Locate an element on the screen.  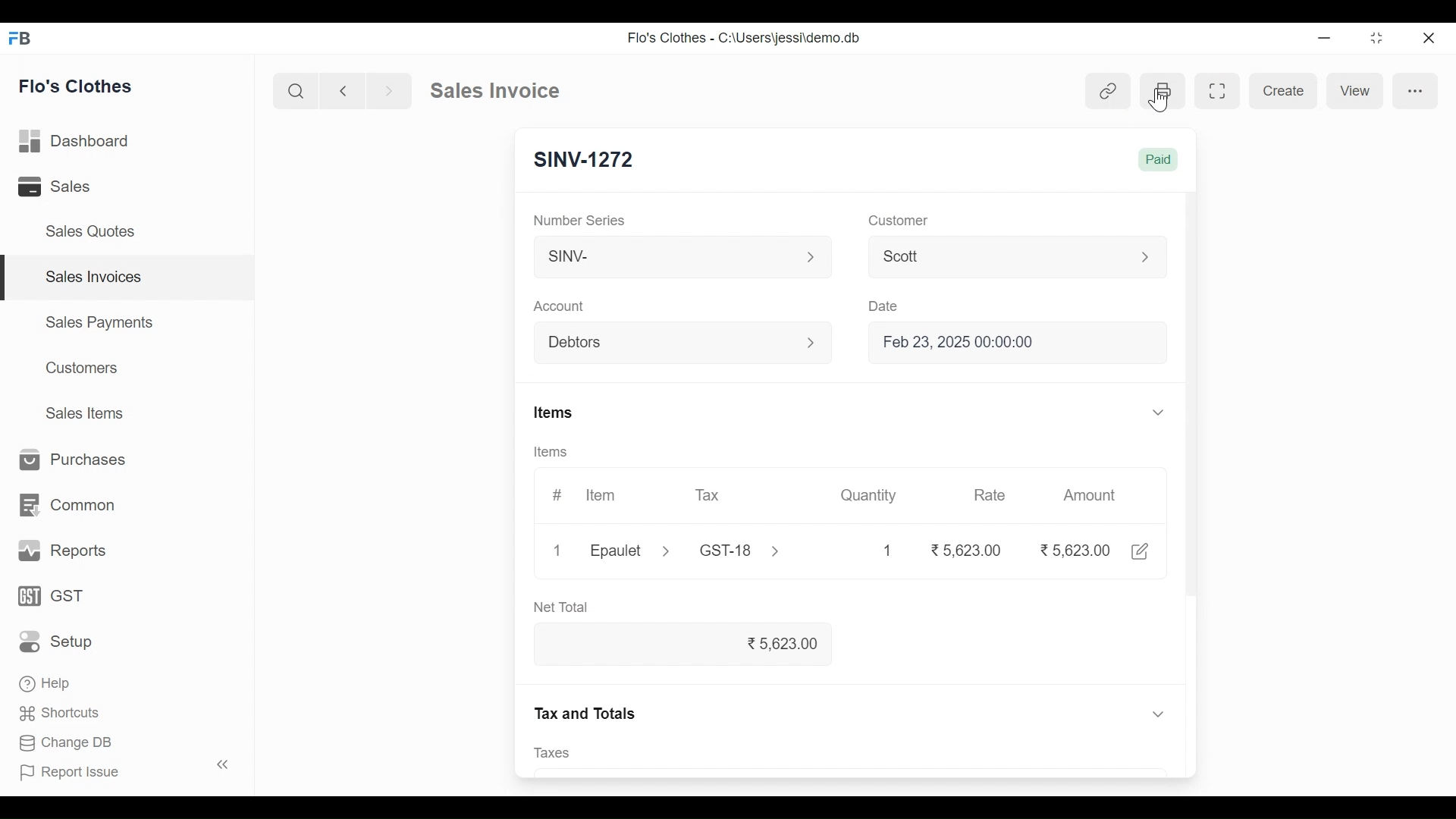
Expand is located at coordinates (1156, 412).